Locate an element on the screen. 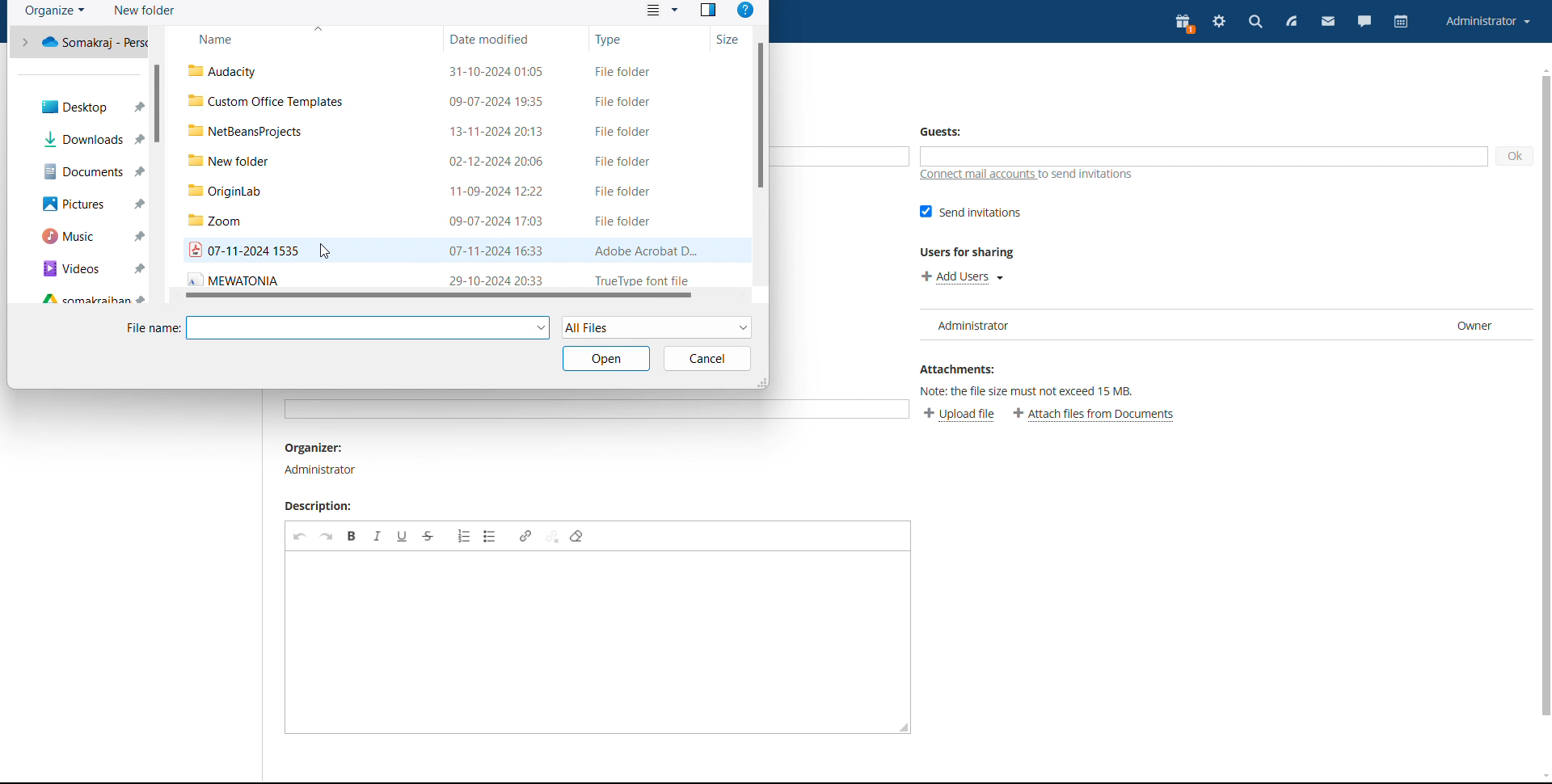 The image size is (1552, 784).  is located at coordinates (90, 204).